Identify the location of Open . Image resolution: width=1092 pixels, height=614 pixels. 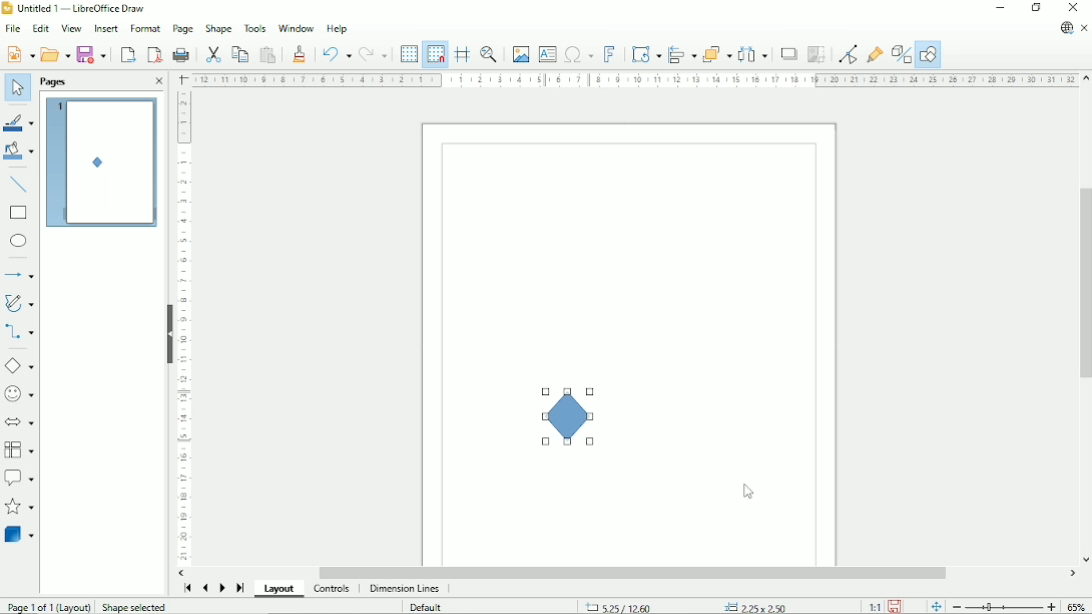
(55, 54).